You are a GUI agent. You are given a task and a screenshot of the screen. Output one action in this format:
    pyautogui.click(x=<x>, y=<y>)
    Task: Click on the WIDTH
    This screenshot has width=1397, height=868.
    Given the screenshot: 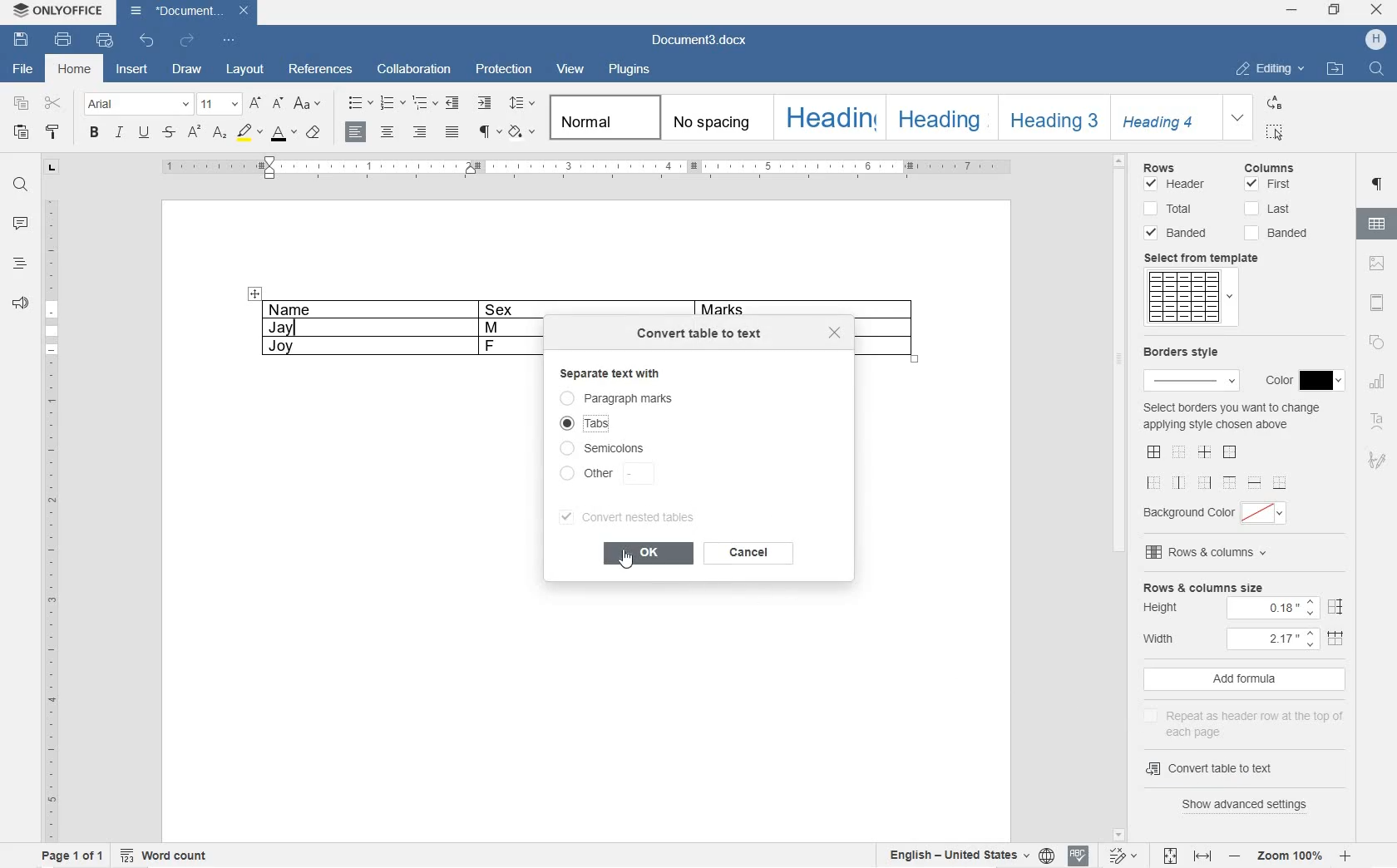 What is the action you would take?
    pyautogui.click(x=1167, y=638)
    